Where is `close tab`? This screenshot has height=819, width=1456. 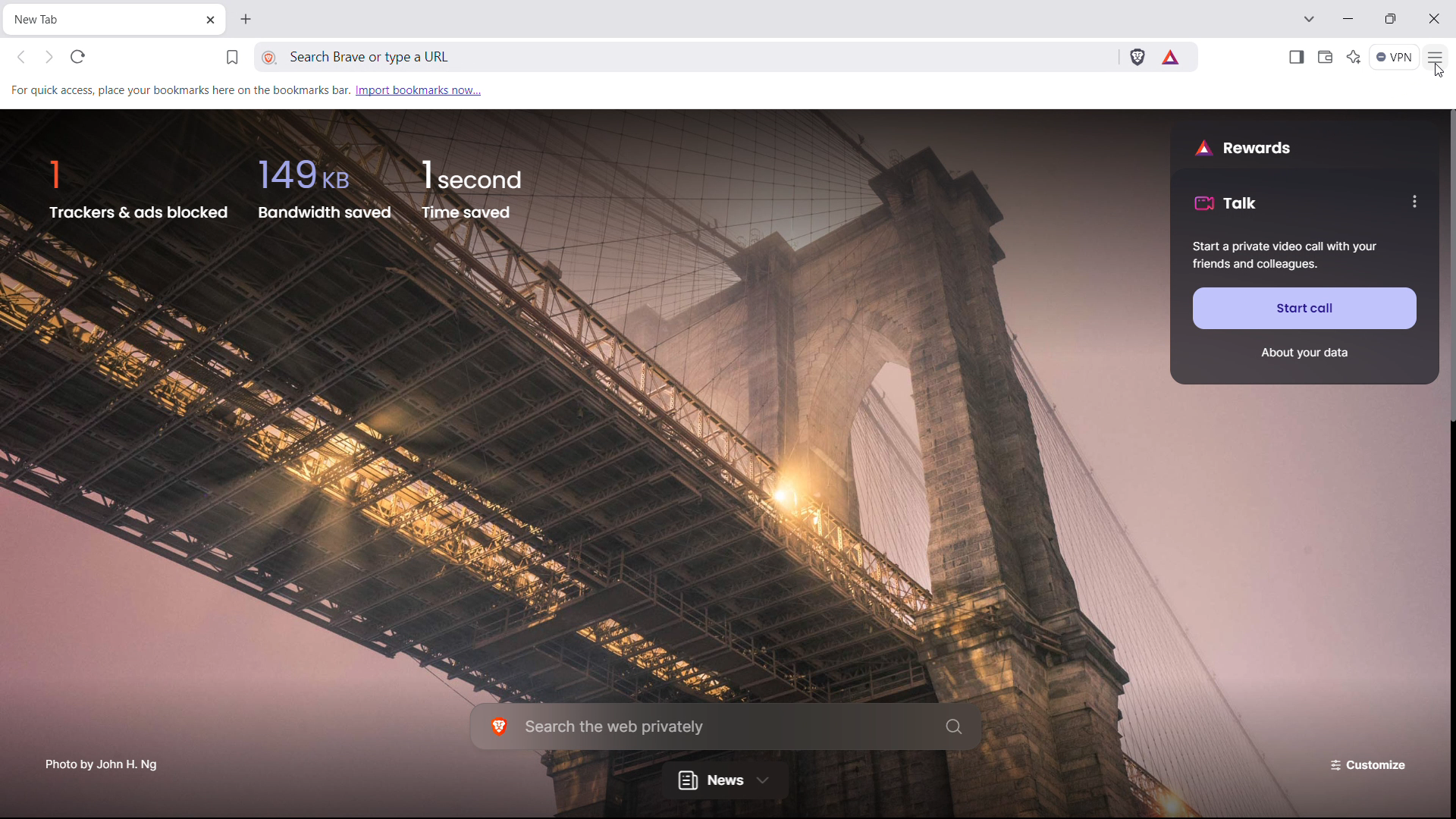
close tab is located at coordinates (211, 21).